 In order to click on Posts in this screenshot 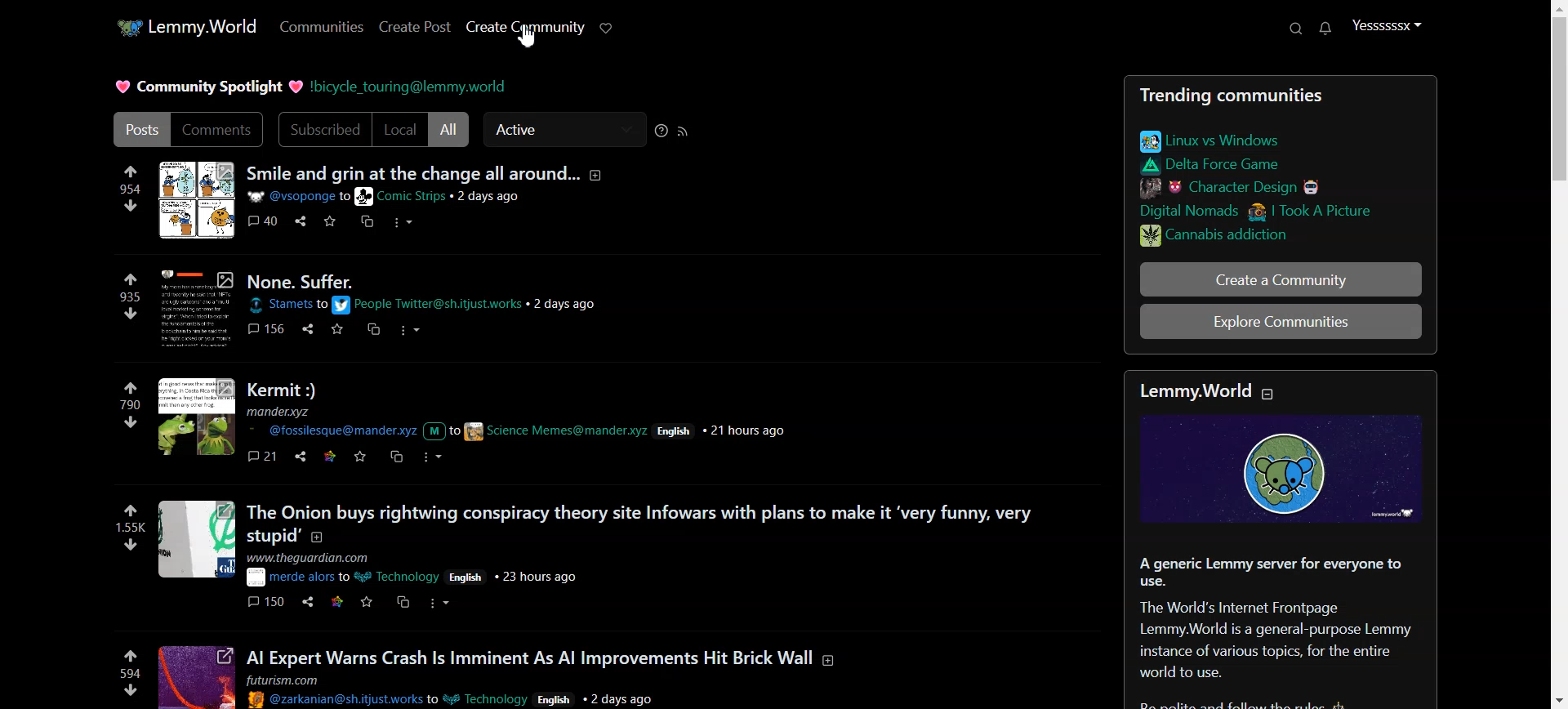, I will do `click(142, 128)`.